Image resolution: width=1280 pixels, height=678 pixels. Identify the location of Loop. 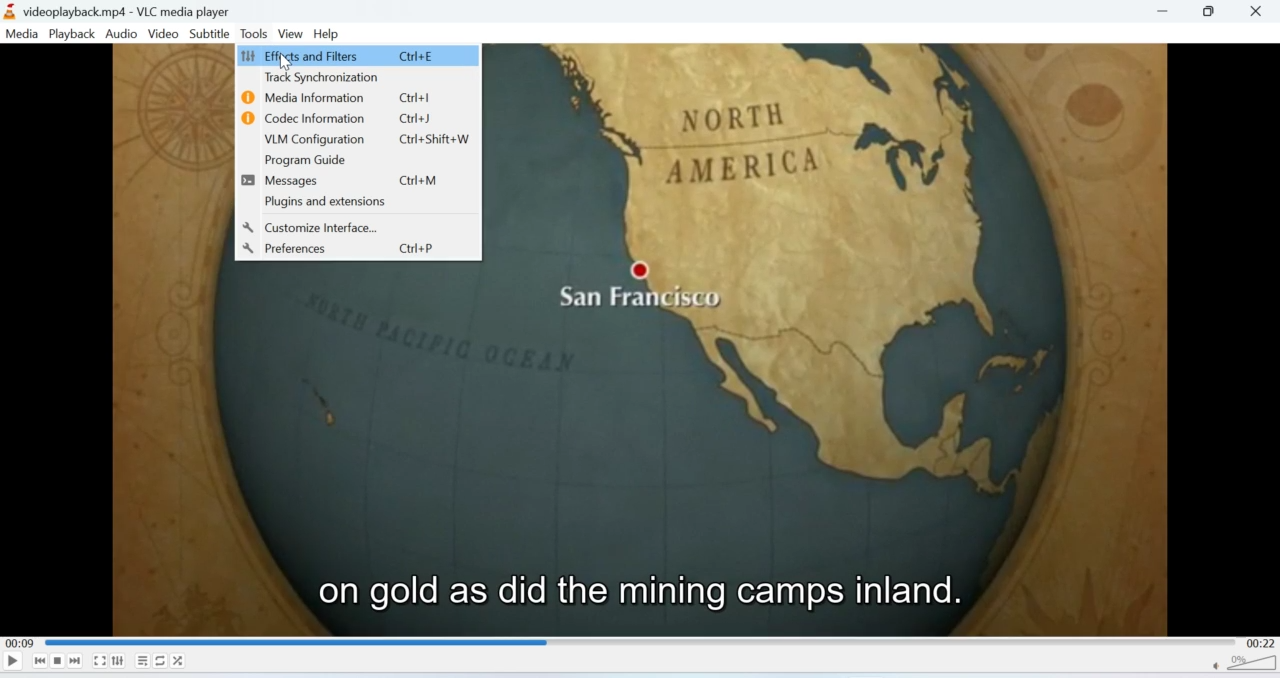
(160, 660).